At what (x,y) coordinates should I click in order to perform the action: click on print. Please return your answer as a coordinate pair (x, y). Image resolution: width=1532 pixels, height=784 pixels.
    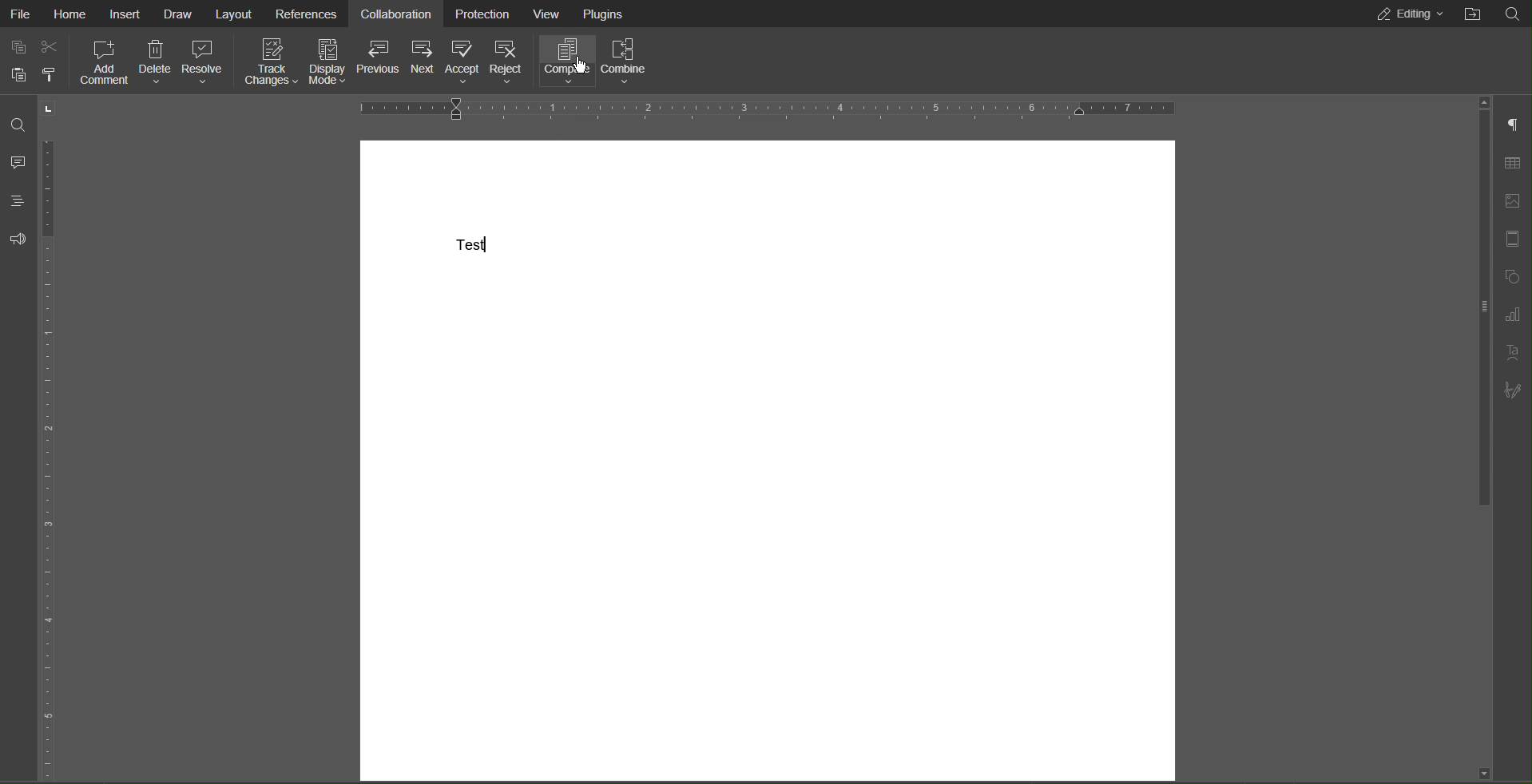
    Looking at the image, I should click on (50, 76).